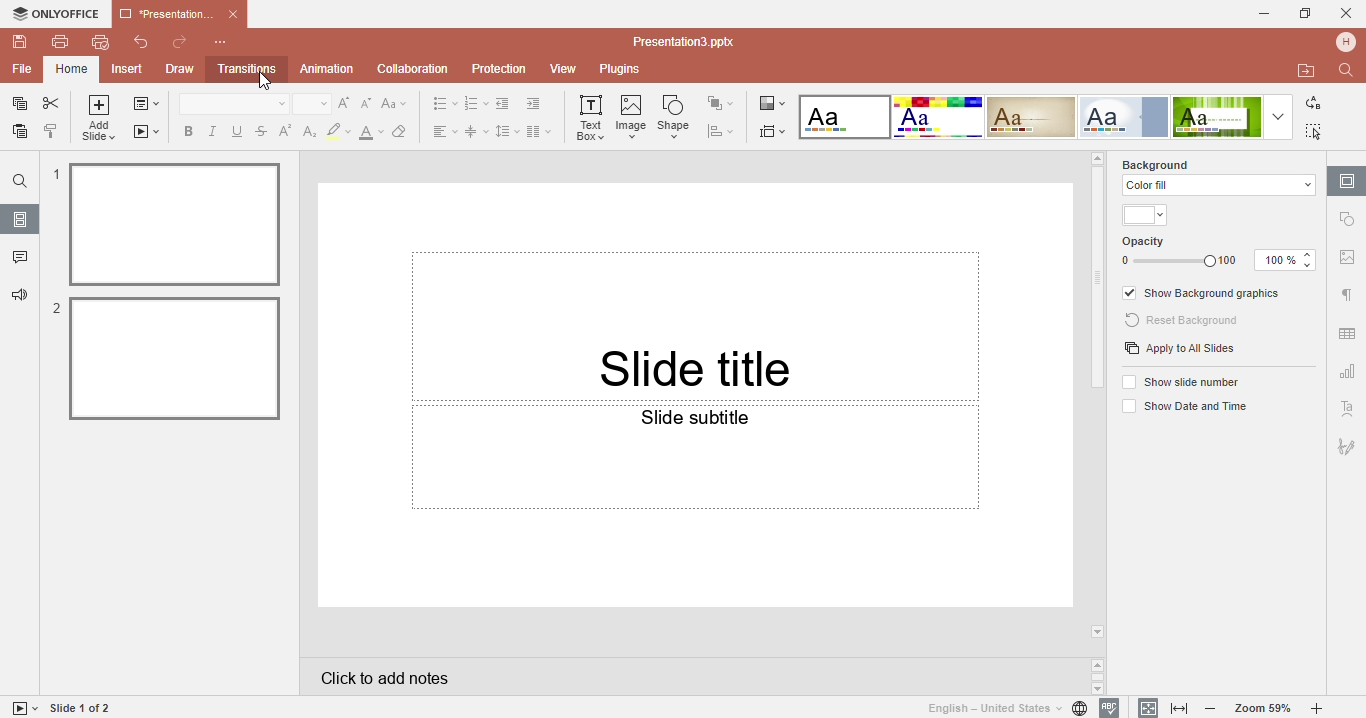 The image size is (1366, 718). I want to click on Slide tittle, so click(697, 293).